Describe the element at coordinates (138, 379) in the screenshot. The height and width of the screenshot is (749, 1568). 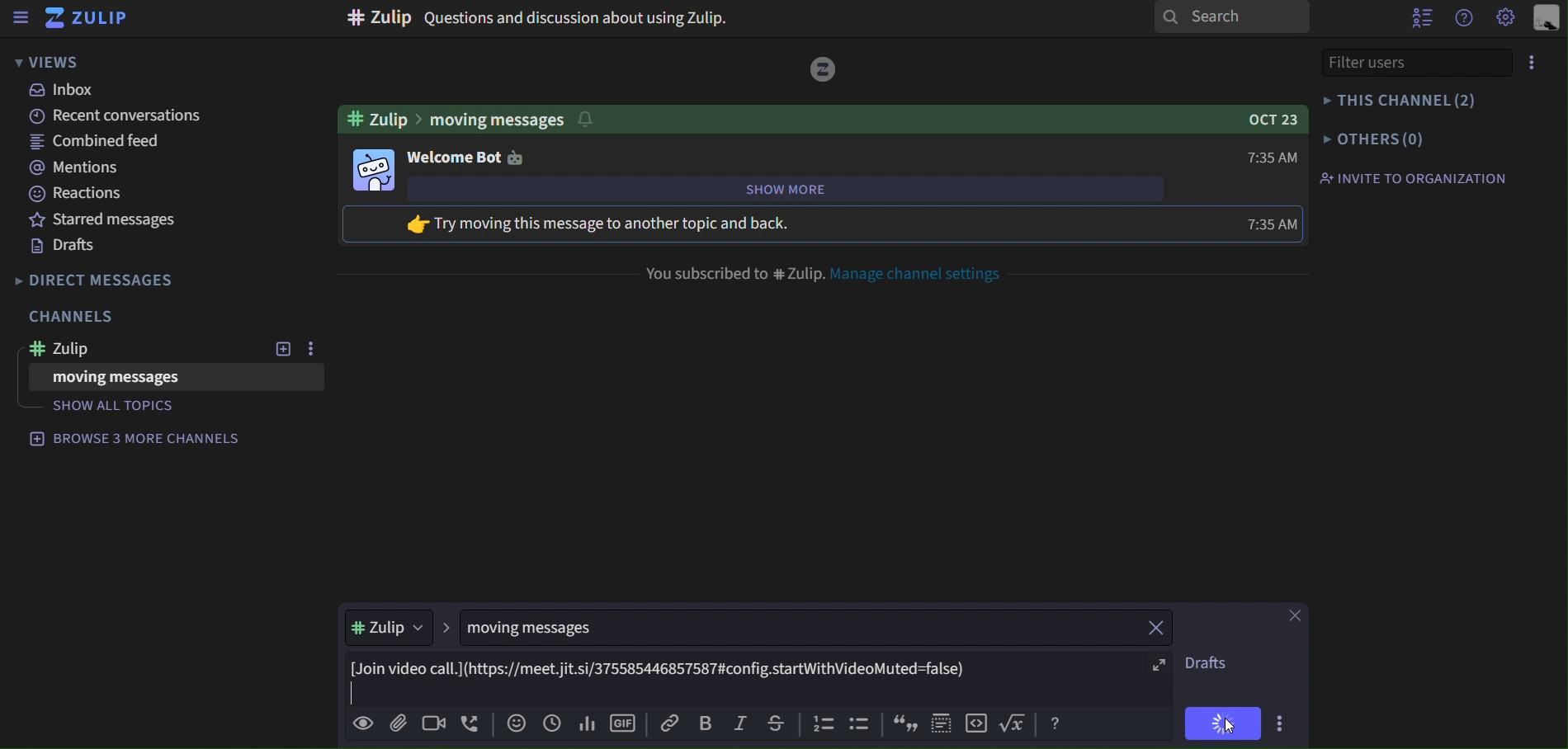
I see `moving messages` at that location.